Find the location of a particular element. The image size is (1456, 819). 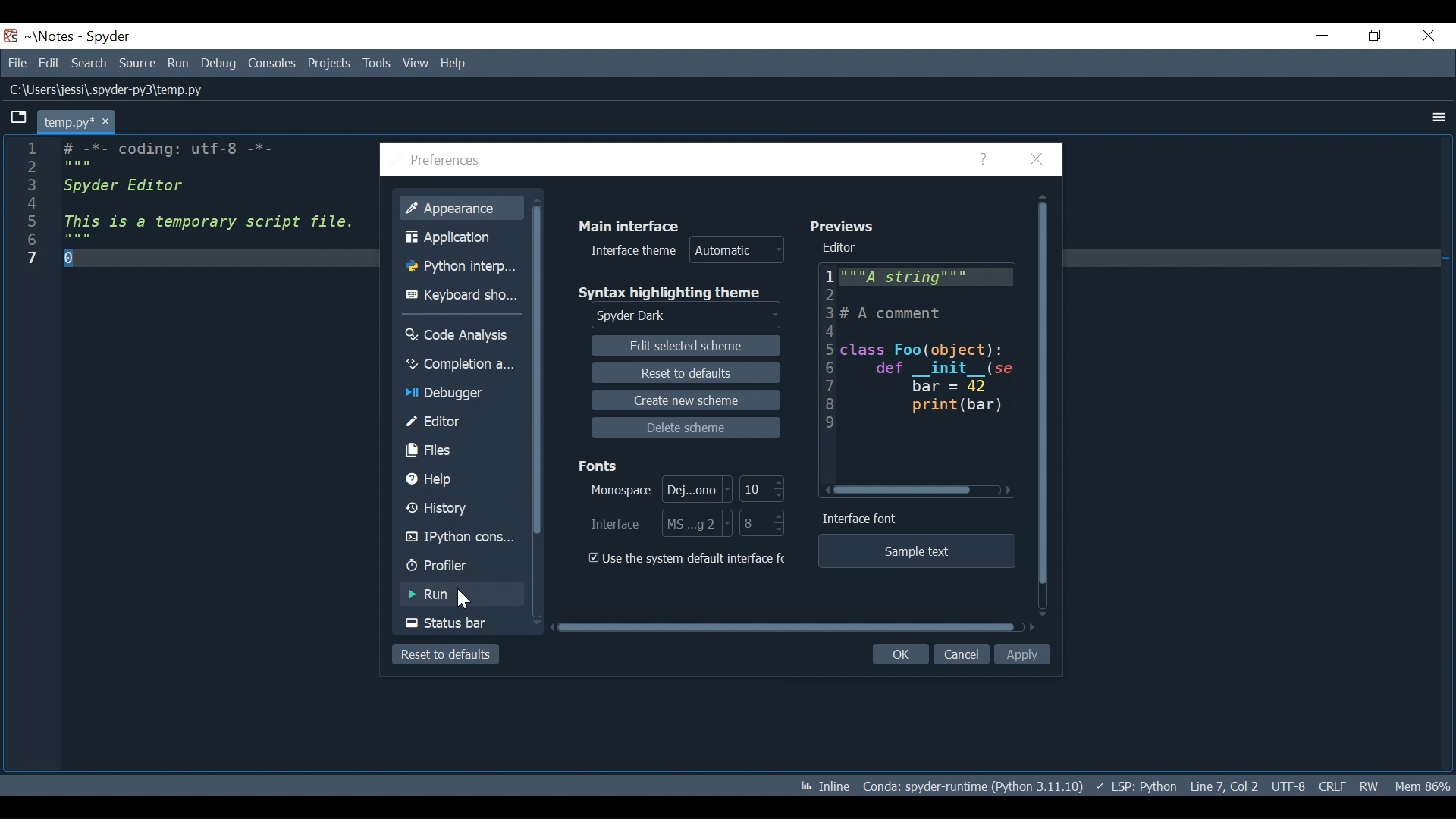

Source is located at coordinates (137, 64).